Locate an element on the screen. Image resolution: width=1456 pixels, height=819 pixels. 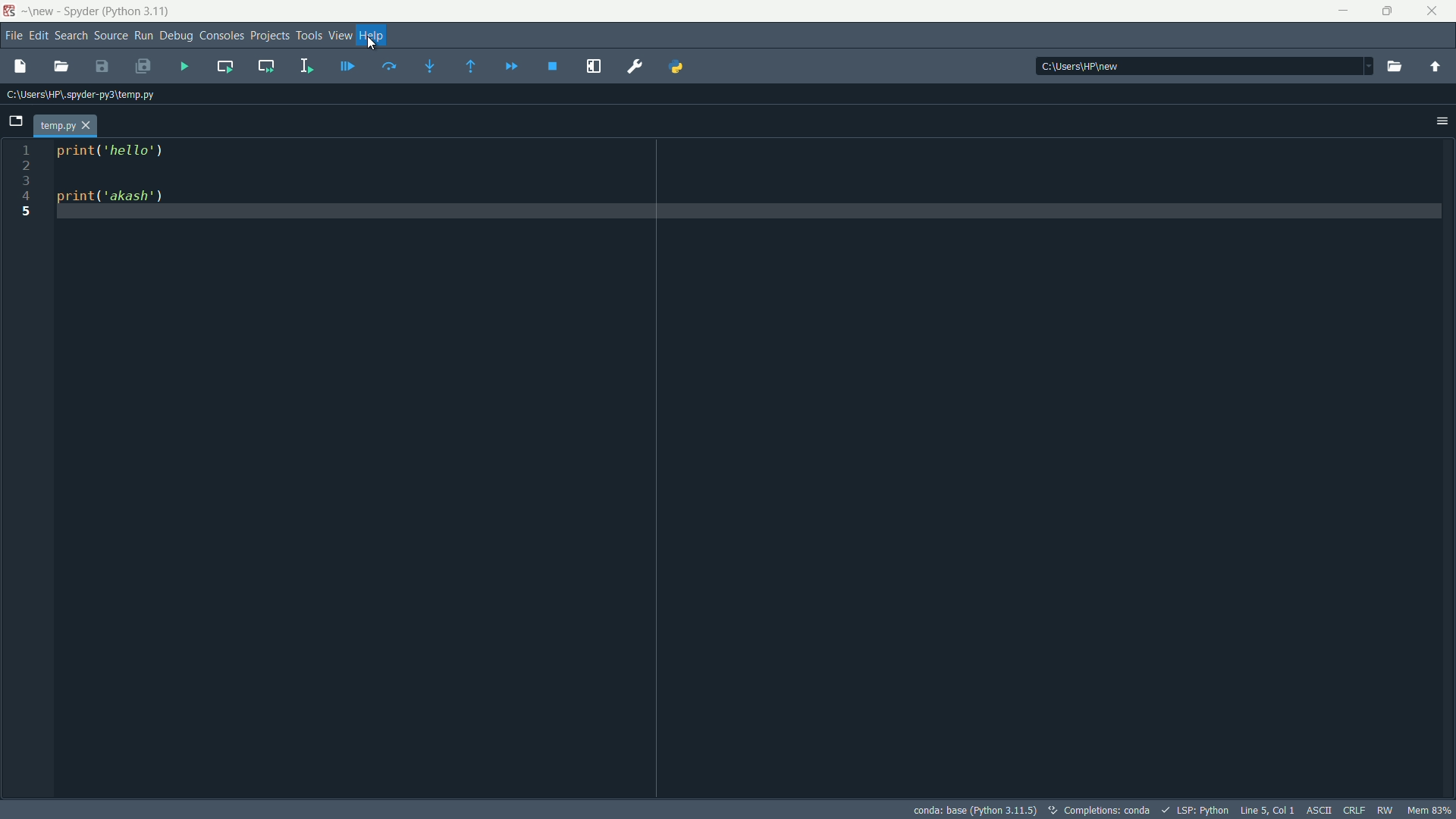
Line 5, Col 1 is located at coordinates (1266, 810).